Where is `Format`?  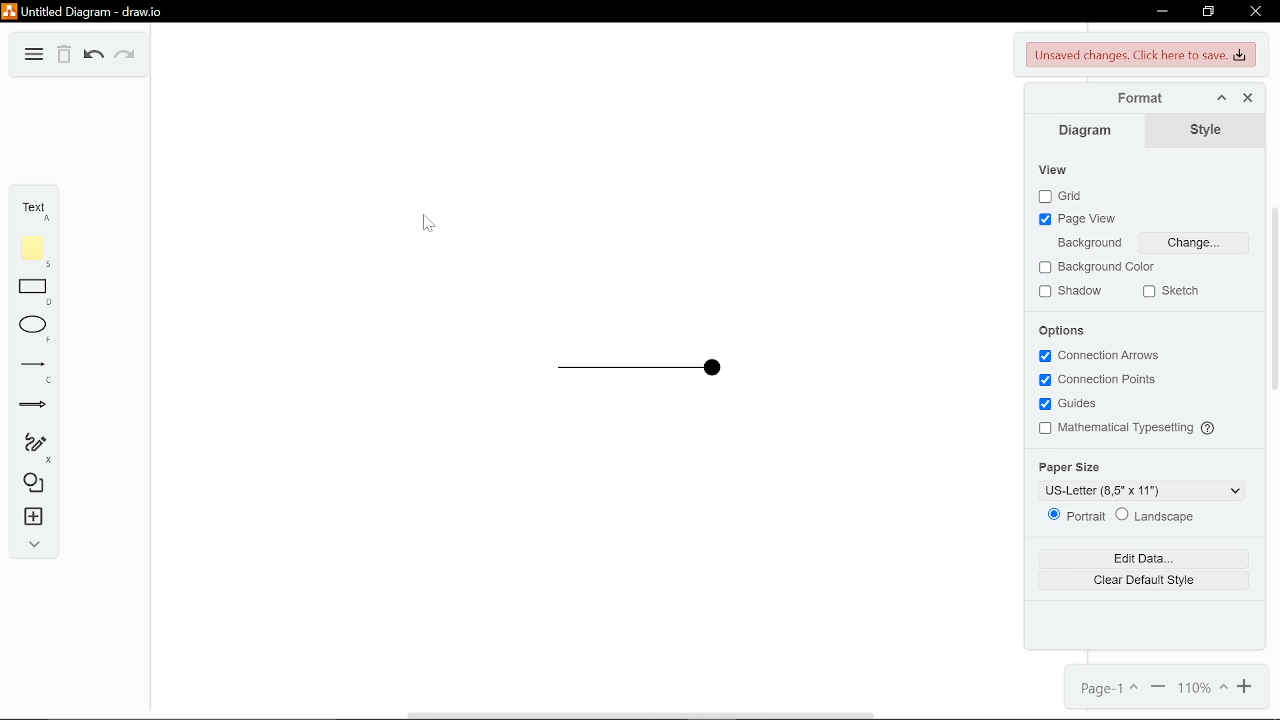 Format is located at coordinates (1130, 98).